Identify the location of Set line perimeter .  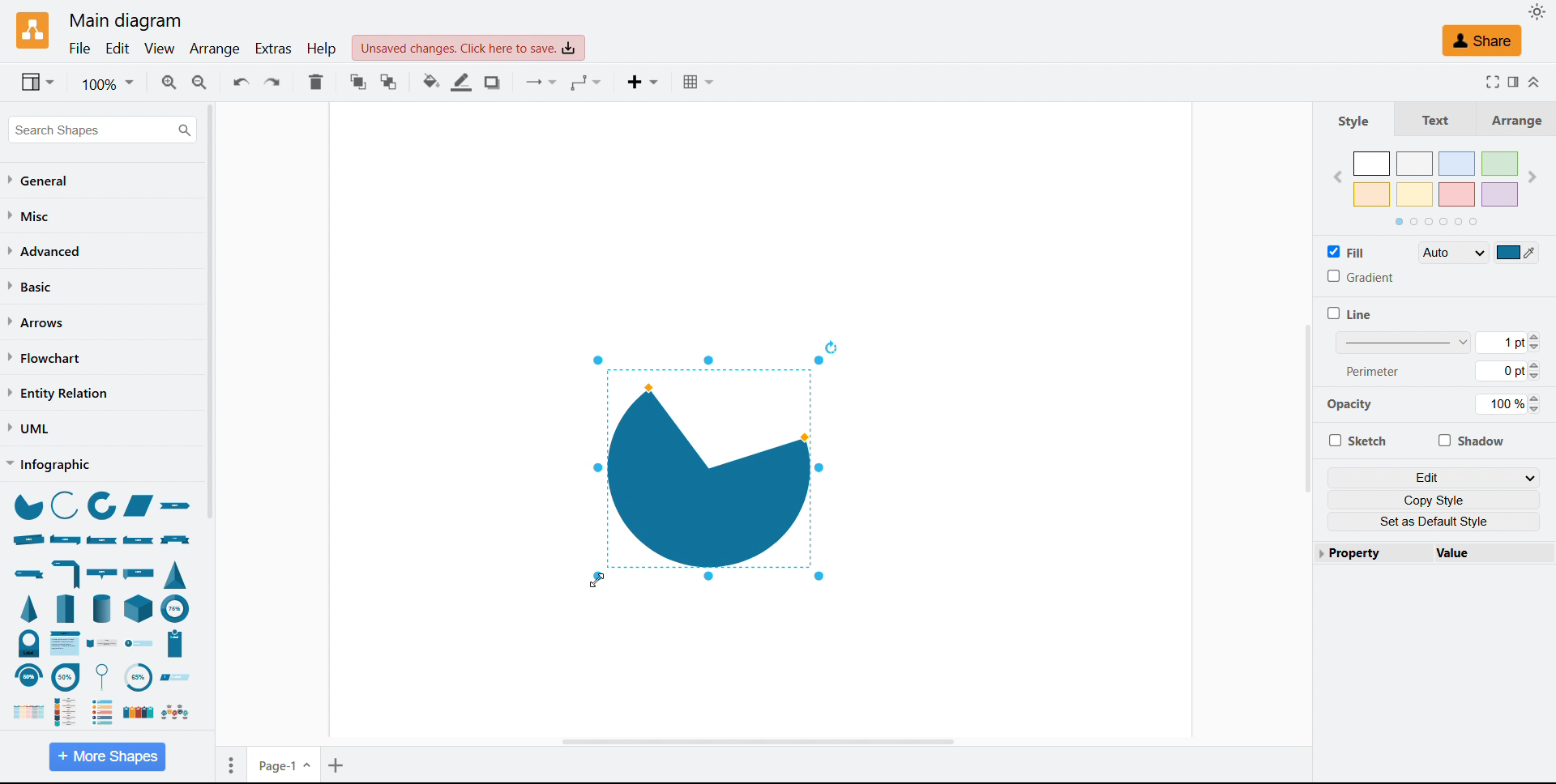
(1507, 371).